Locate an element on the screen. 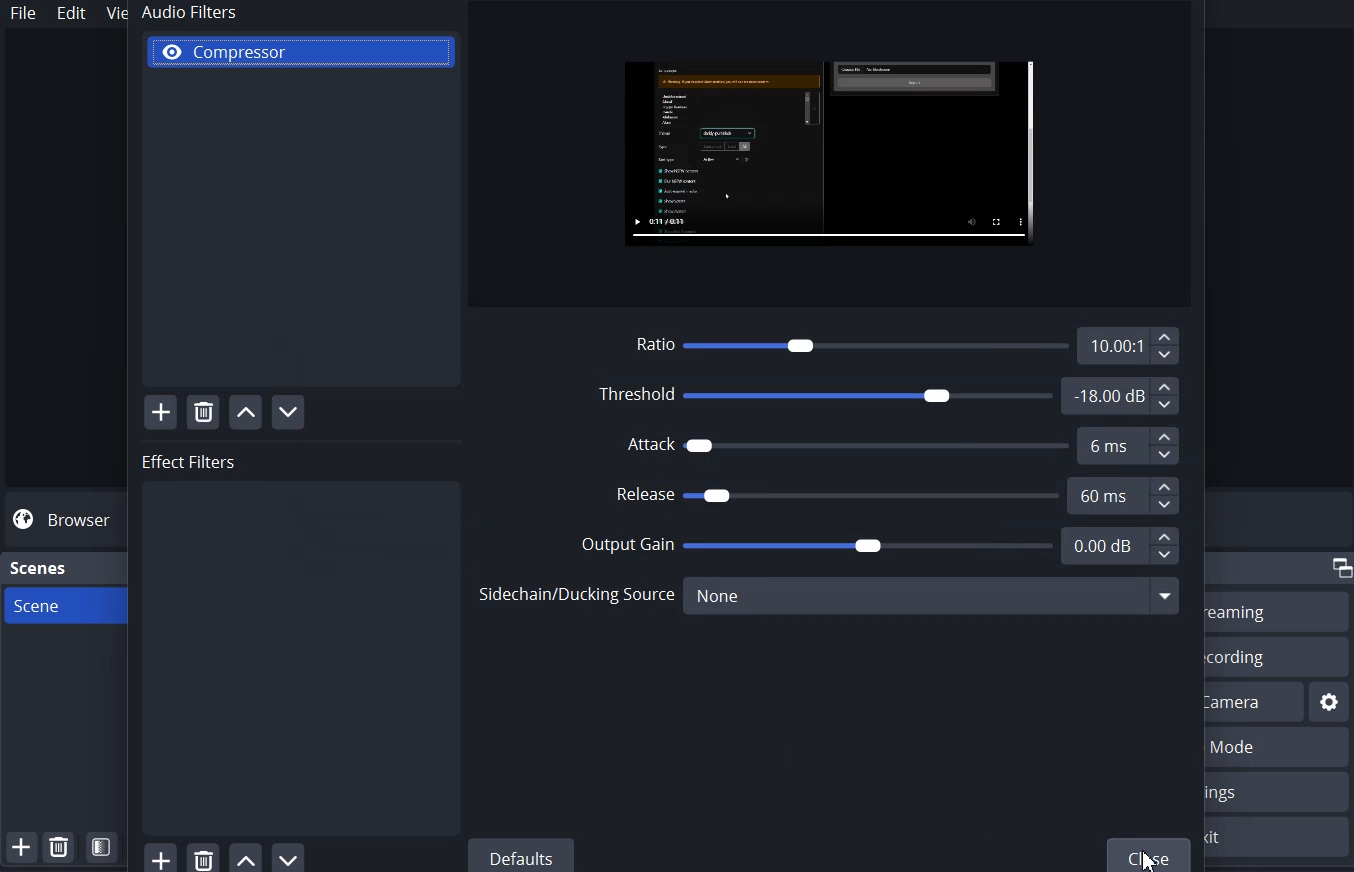 The image size is (1354, 872). Start Recording is located at coordinates (1275, 656).